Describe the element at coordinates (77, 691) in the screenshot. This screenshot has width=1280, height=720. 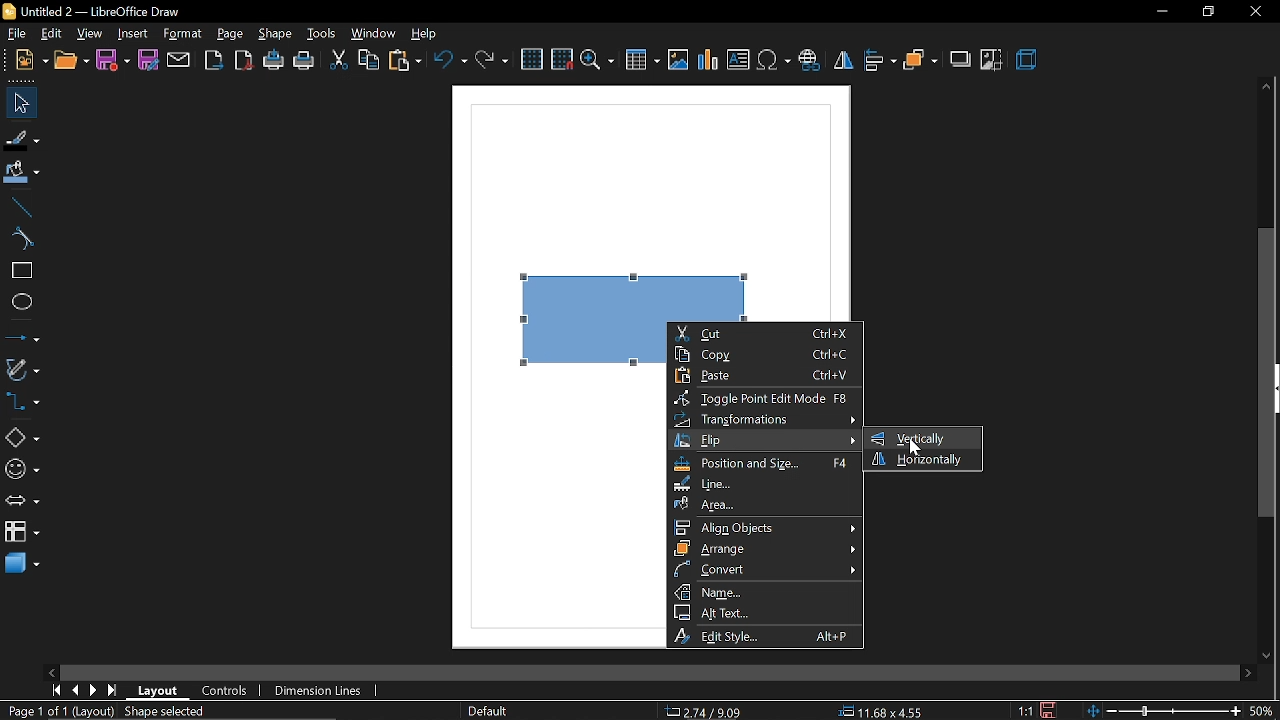
I see `previous page` at that location.